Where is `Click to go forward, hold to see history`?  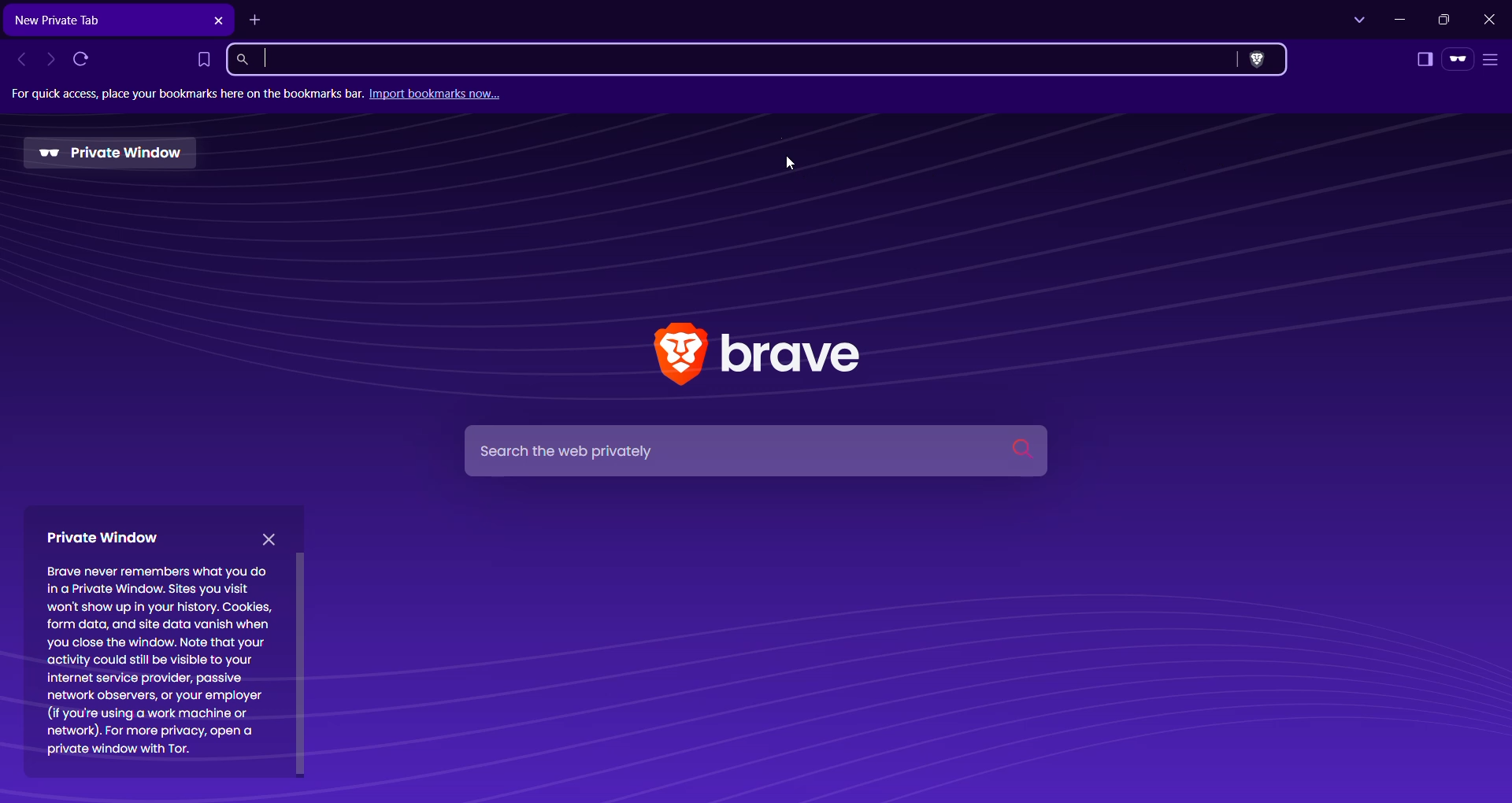
Click to go forward, hold to see history is located at coordinates (53, 61).